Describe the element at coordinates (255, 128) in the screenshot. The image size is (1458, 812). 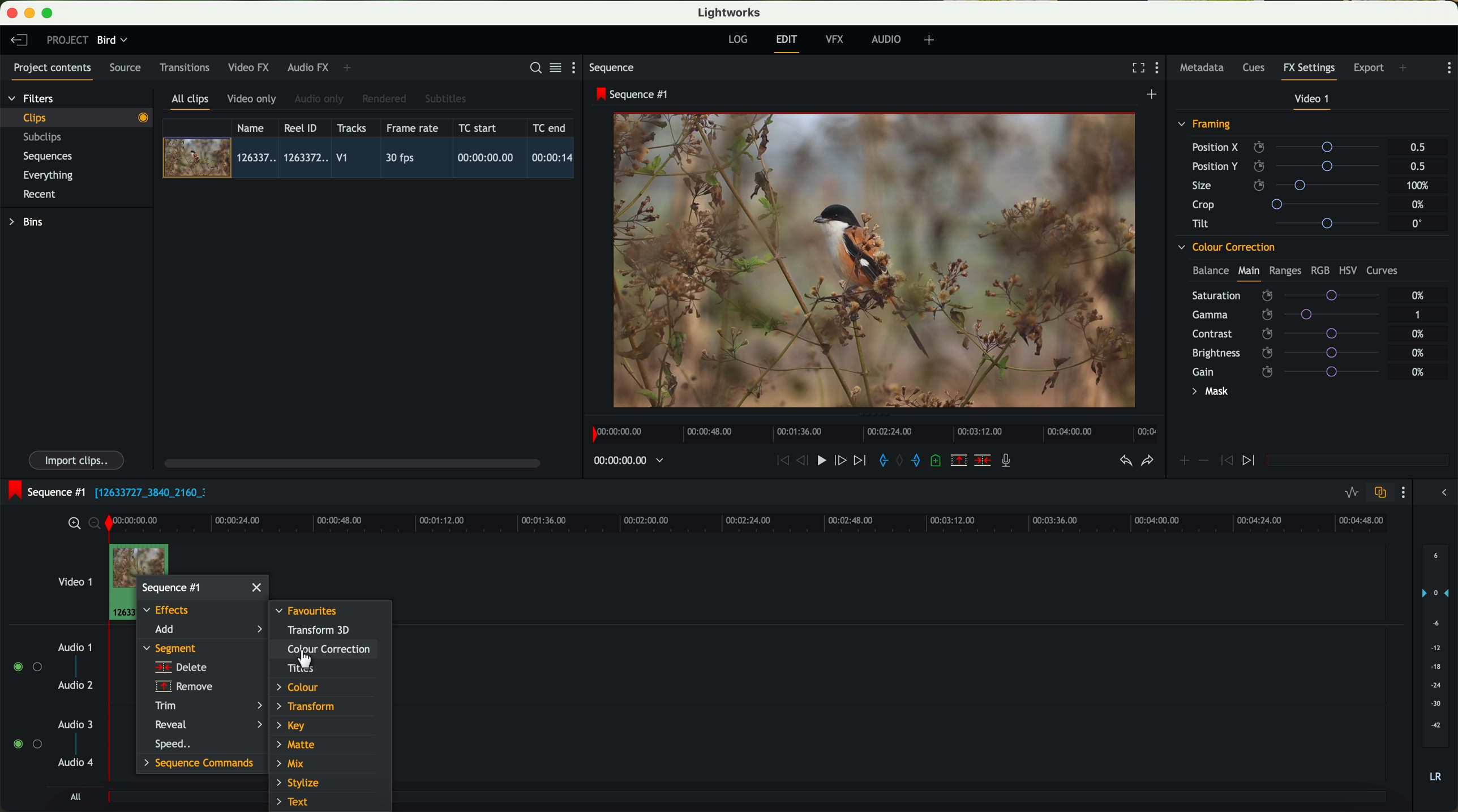
I see `name` at that location.